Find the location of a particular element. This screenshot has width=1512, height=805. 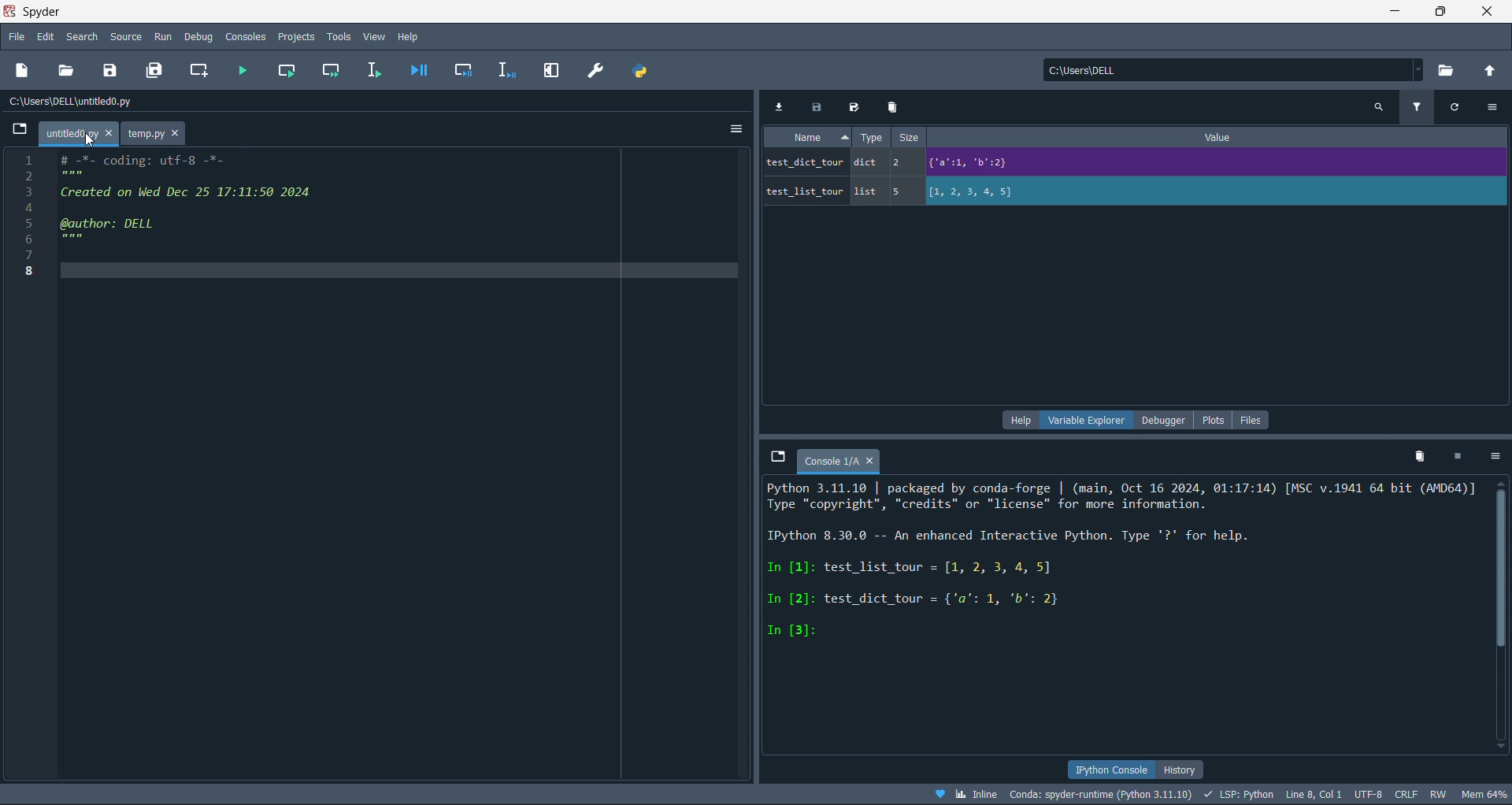

search is located at coordinates (80, 37).